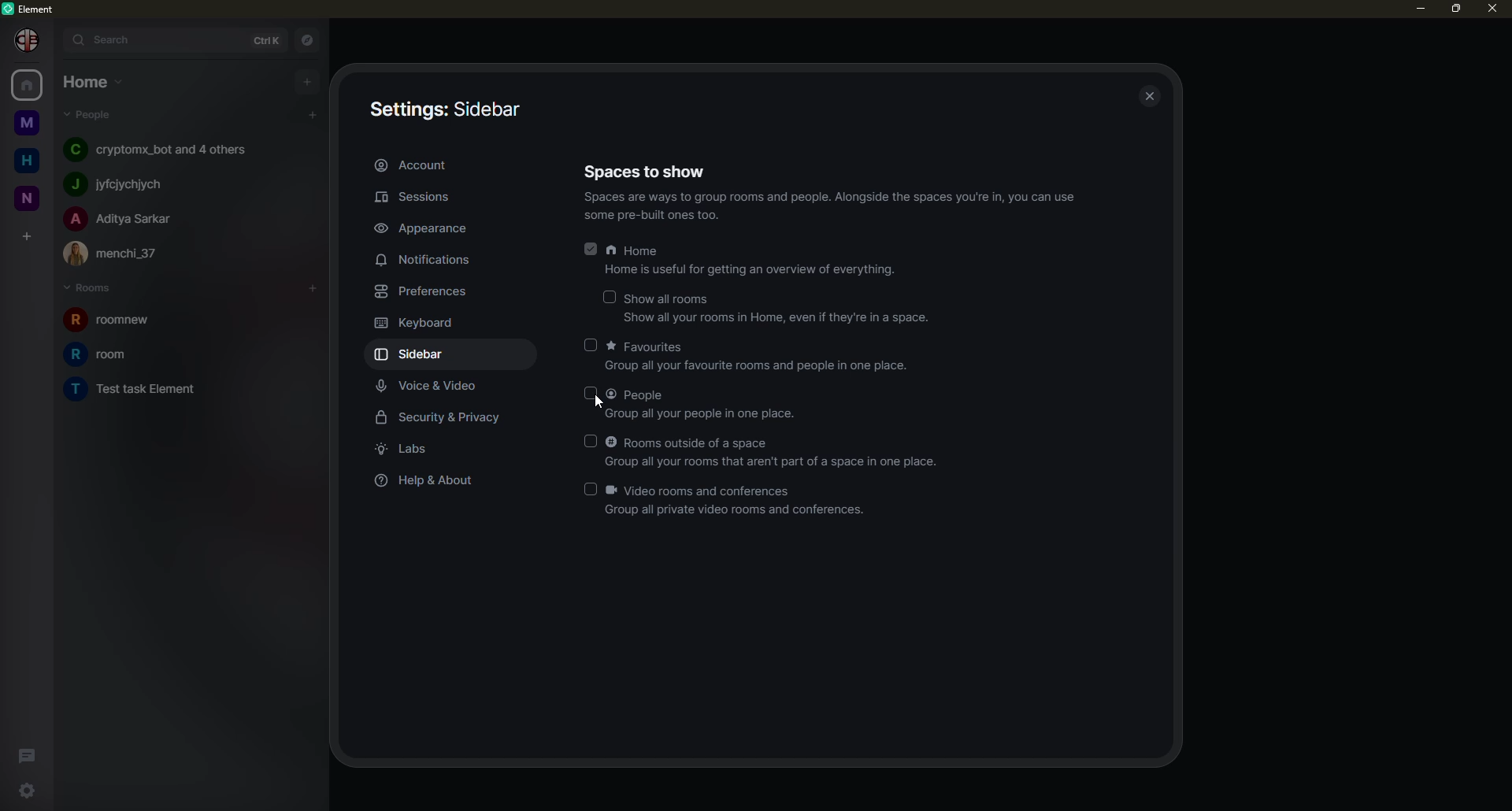  What do you see at coordinates (93, 288) in the screenshot?
I see `rooms` at bounding box center [93, 288].